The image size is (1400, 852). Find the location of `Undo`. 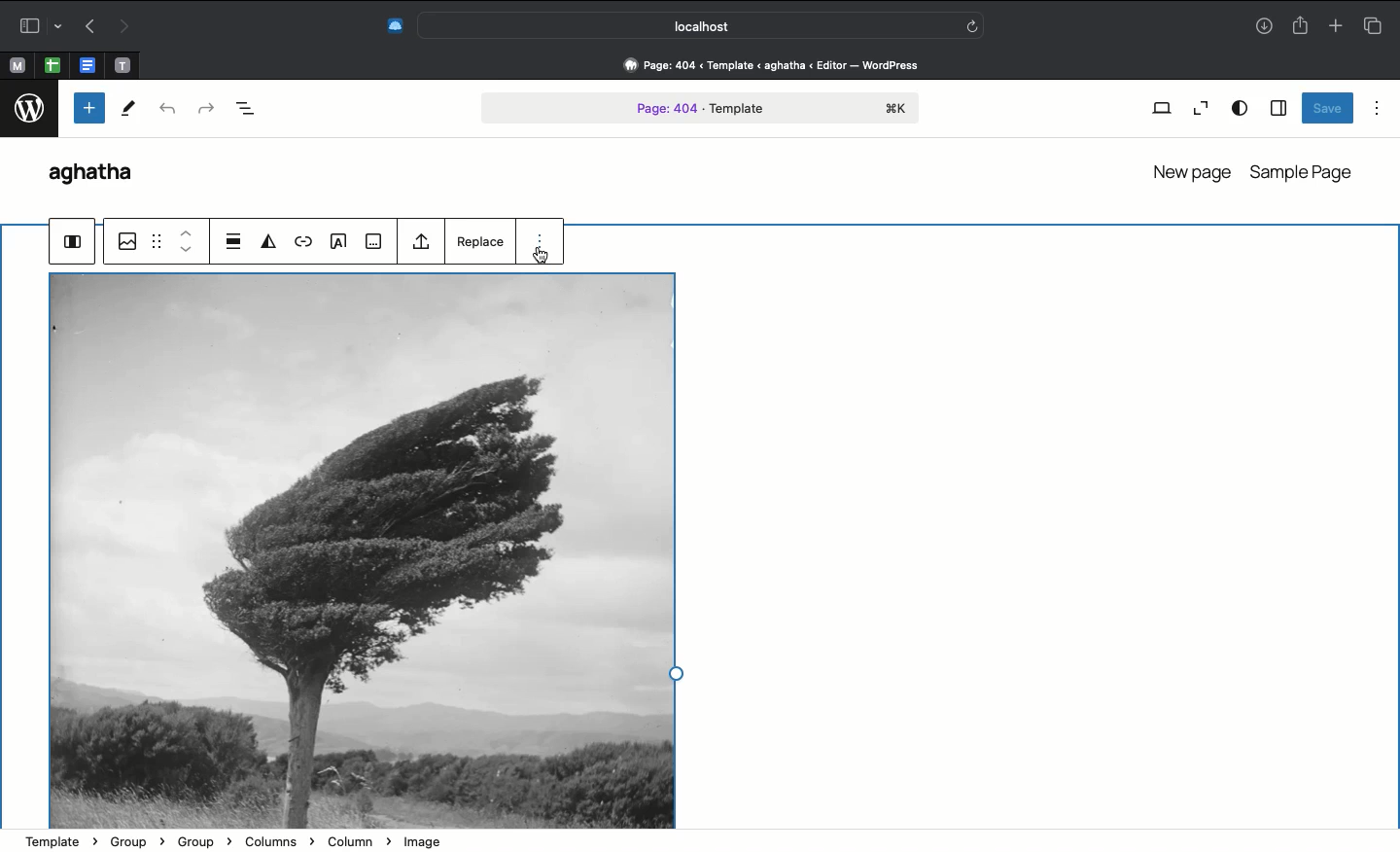

Undo is located at coordinates (90, 25).